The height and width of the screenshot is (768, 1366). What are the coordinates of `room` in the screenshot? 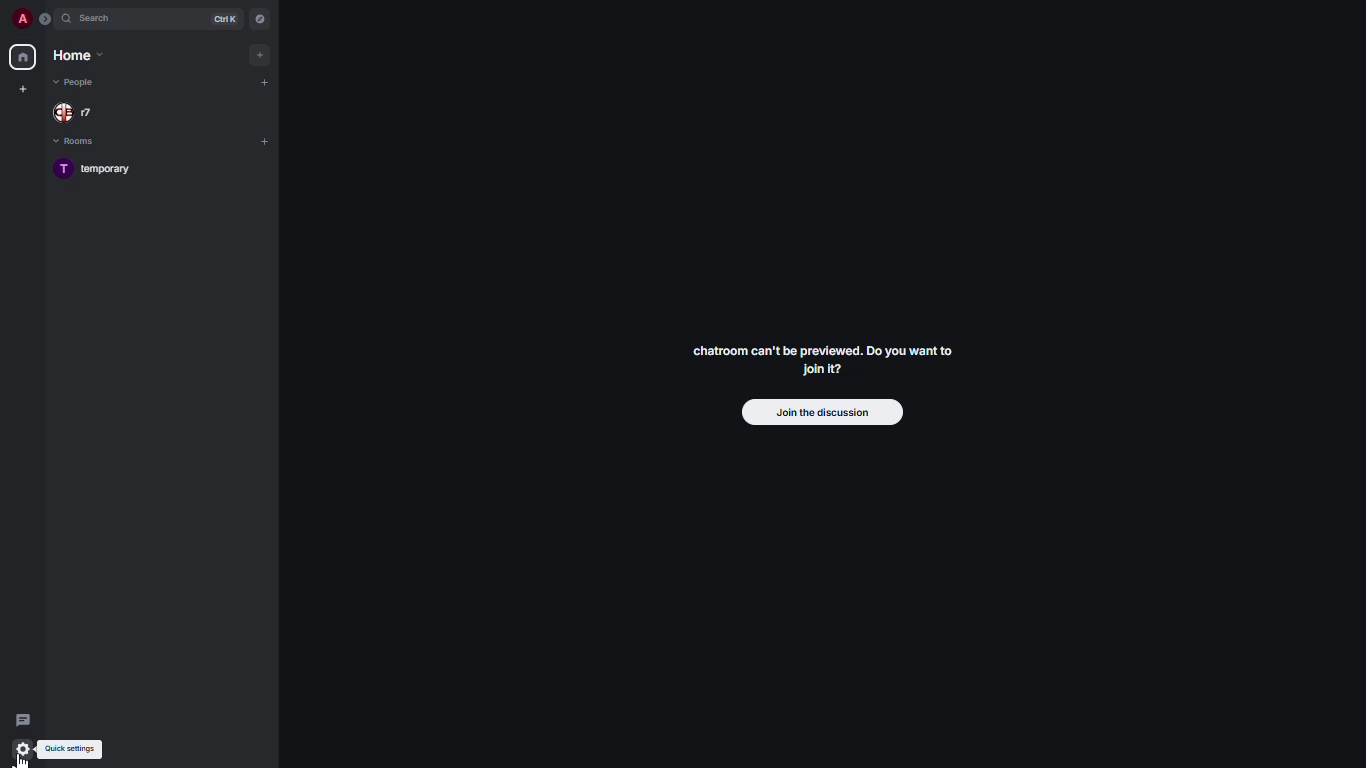 It's located at (102, 172).